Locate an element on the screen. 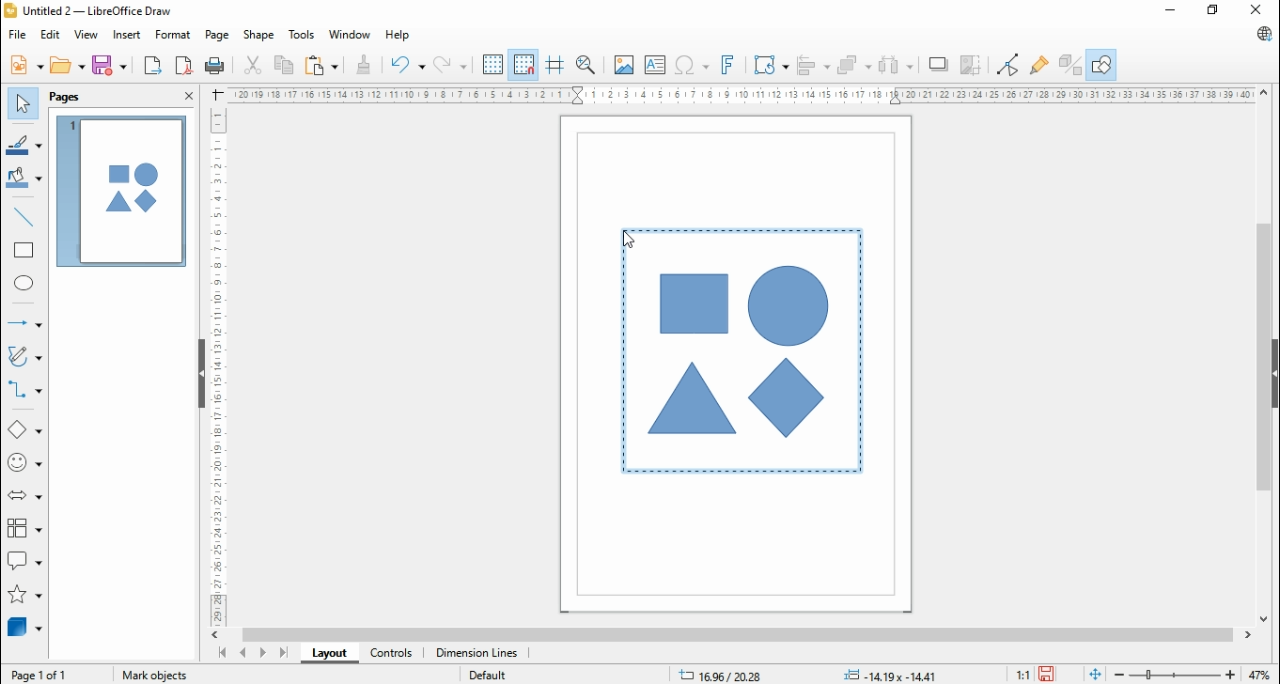 The image size is (1280, 684). next page is located at coordinates (262, 653).